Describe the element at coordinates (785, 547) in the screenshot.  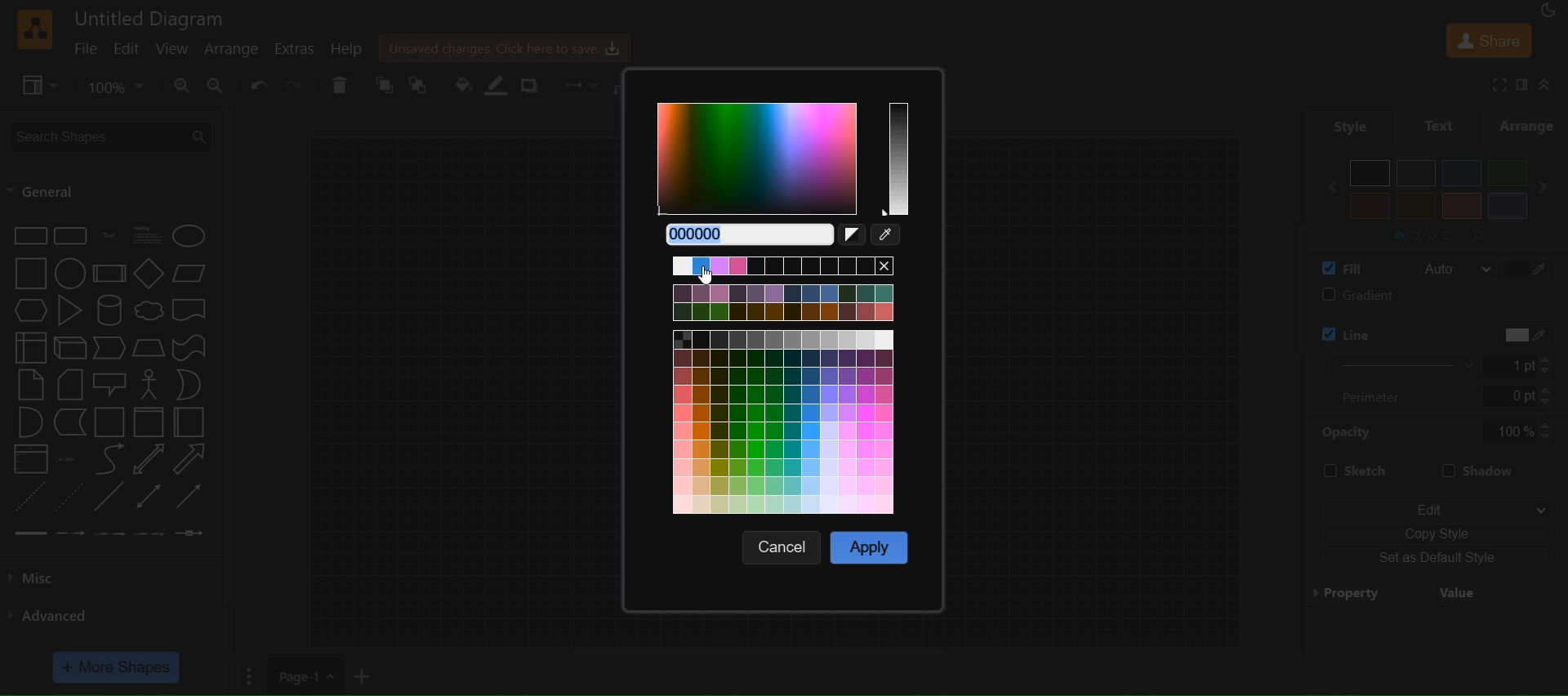
I see `cencle` at that location.